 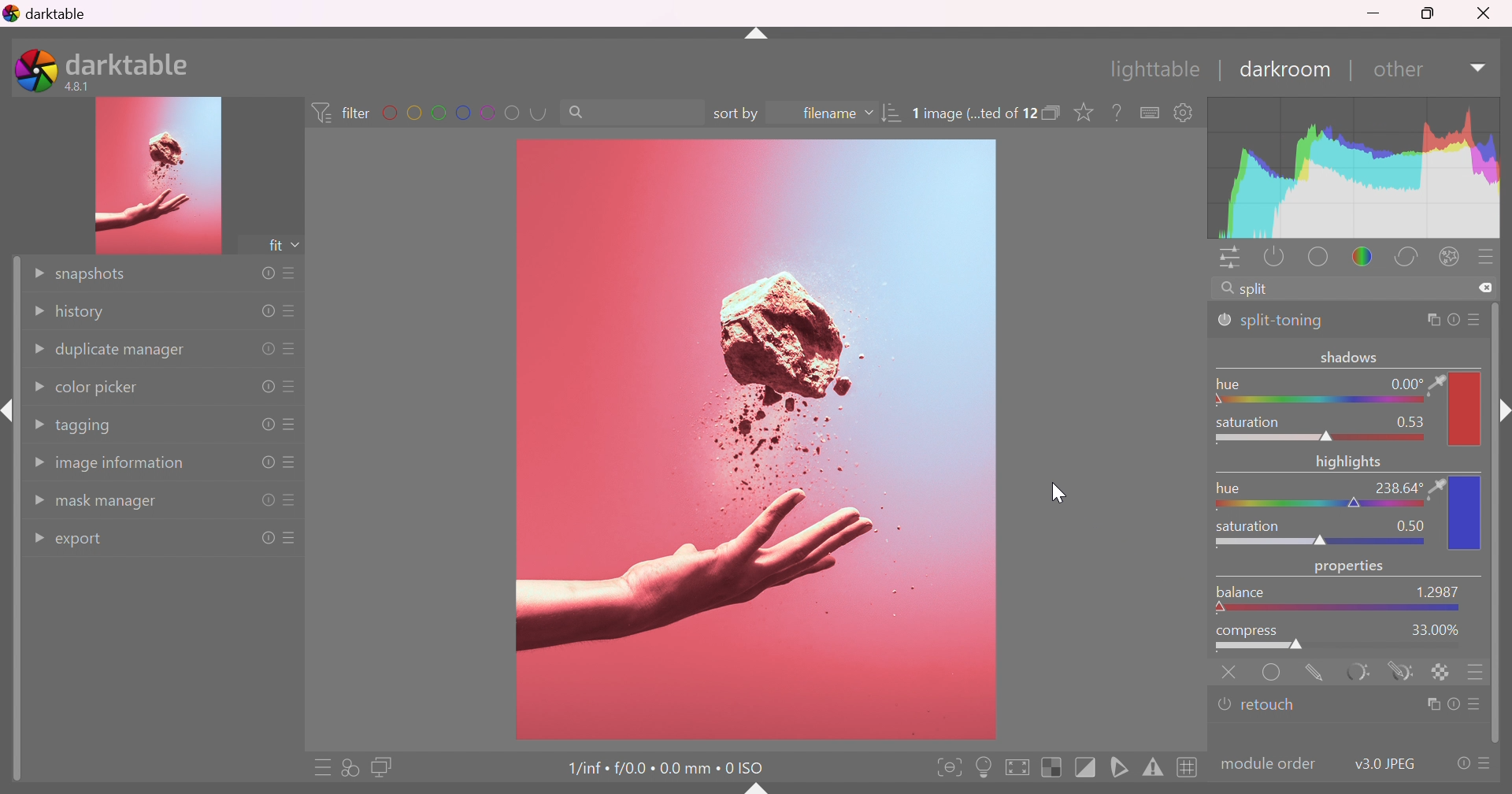 I want to click on properties, so click(x=1352, y=566).